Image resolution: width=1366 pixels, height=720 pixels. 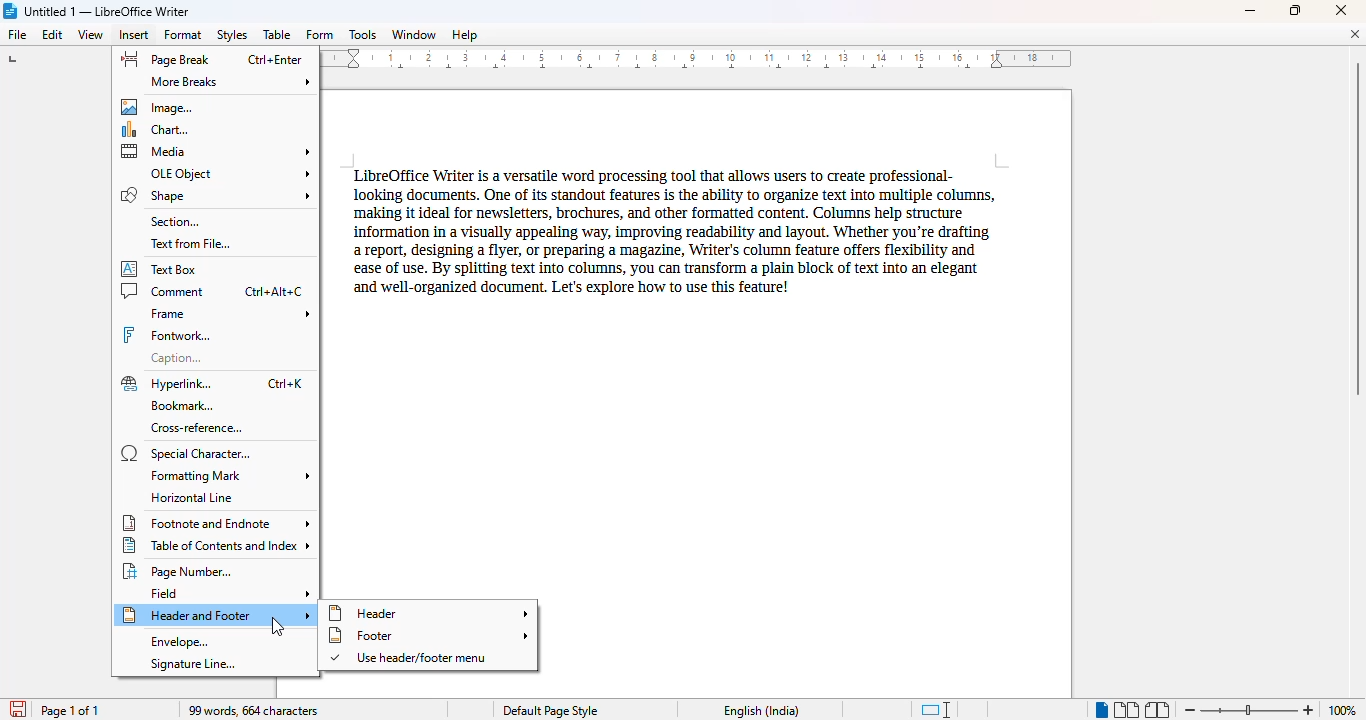 I want to click on edit, so click(x=53, y=35).